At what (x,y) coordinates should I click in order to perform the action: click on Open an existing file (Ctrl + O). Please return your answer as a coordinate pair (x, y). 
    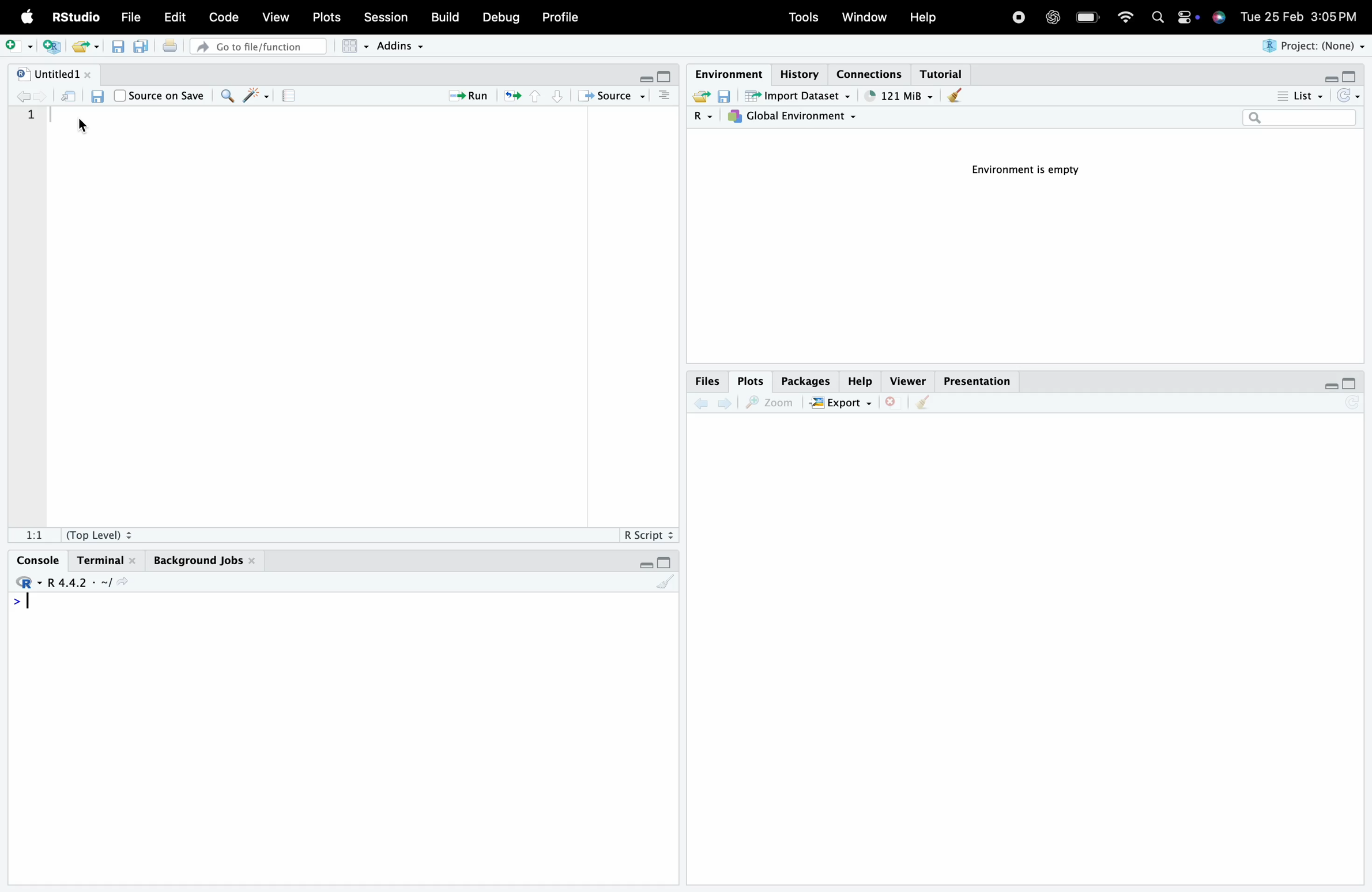
    Looking at the image, I should click on (84, 47).